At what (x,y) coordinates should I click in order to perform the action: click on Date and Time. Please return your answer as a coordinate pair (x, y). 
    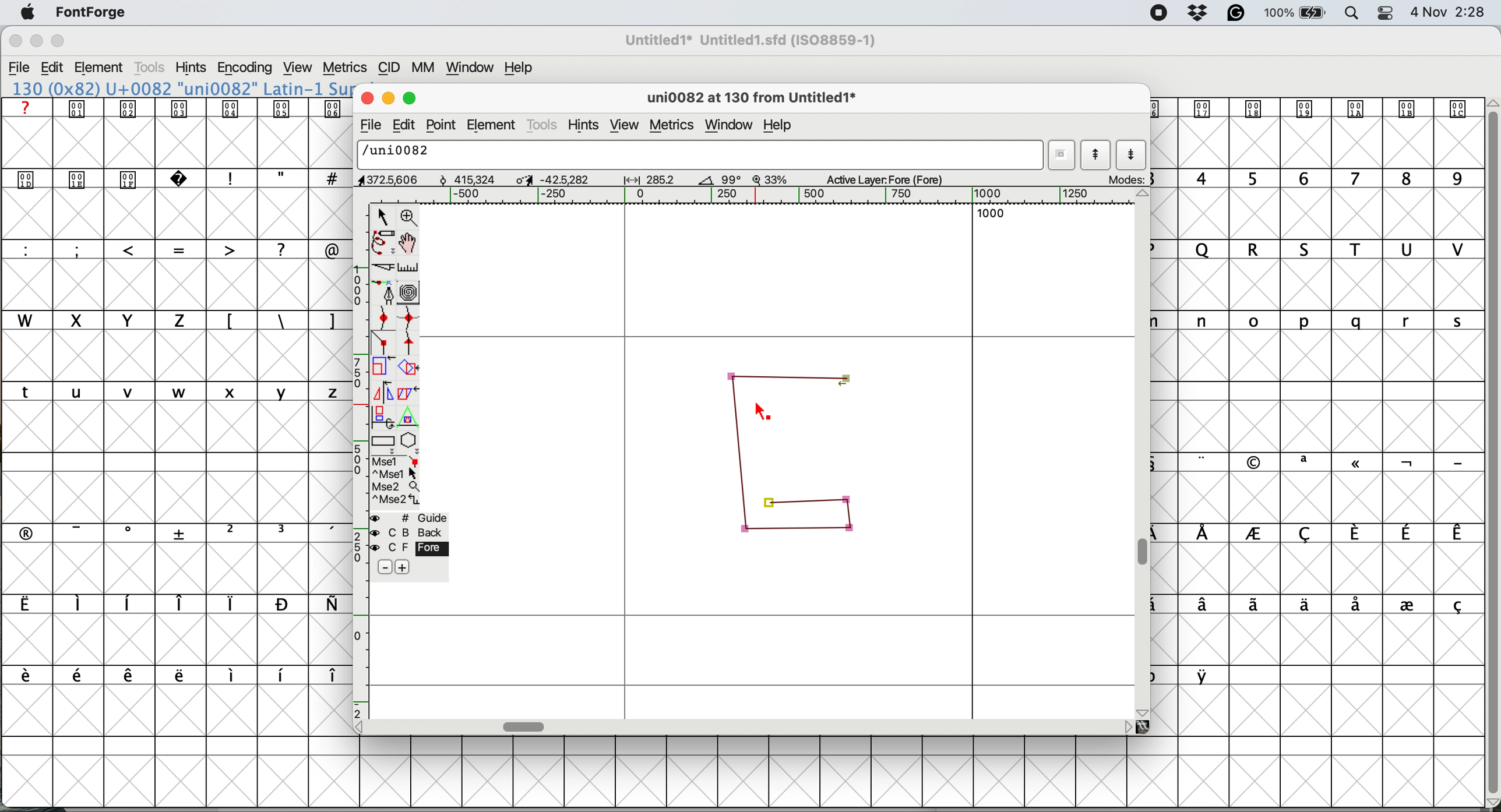
    Looking at the image, I should click on (1453, 12).